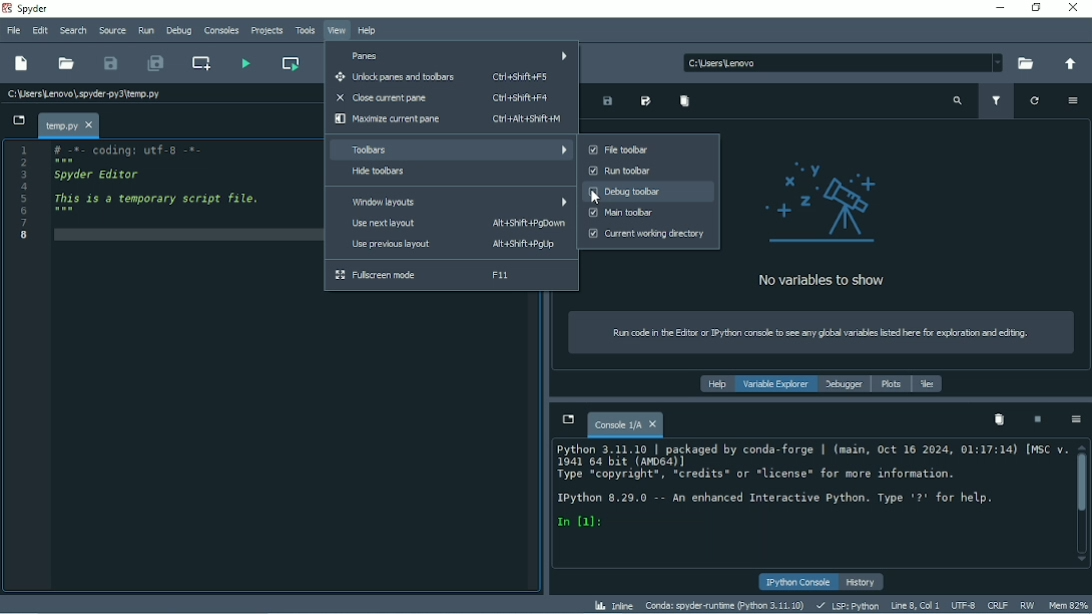  Describe the element at coordinates (158, 198) in the screenshot. I see `This is a temporary script file.` at that location.